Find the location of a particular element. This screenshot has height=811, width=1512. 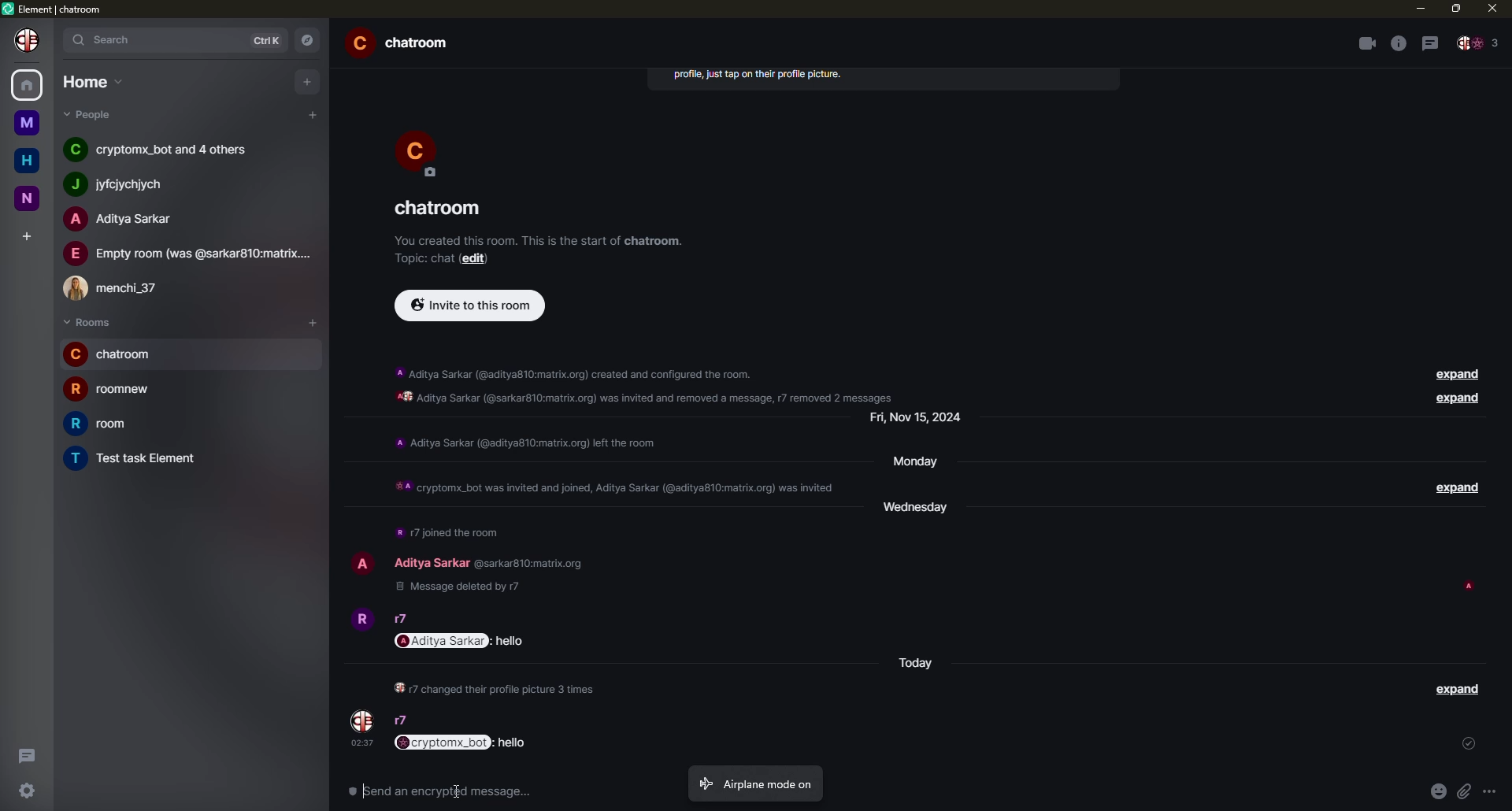

people is located at coordinates (166, 150).